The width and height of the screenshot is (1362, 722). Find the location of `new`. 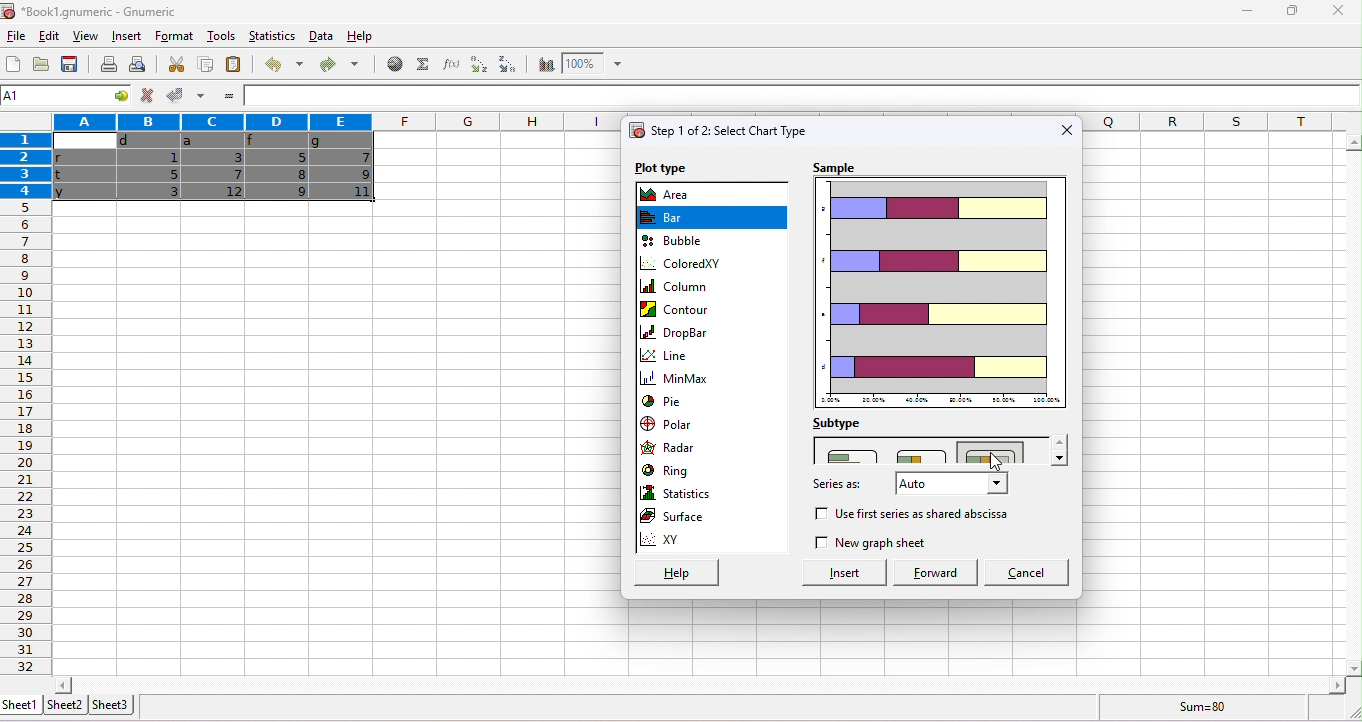

new is located at coordinates (12, 64).